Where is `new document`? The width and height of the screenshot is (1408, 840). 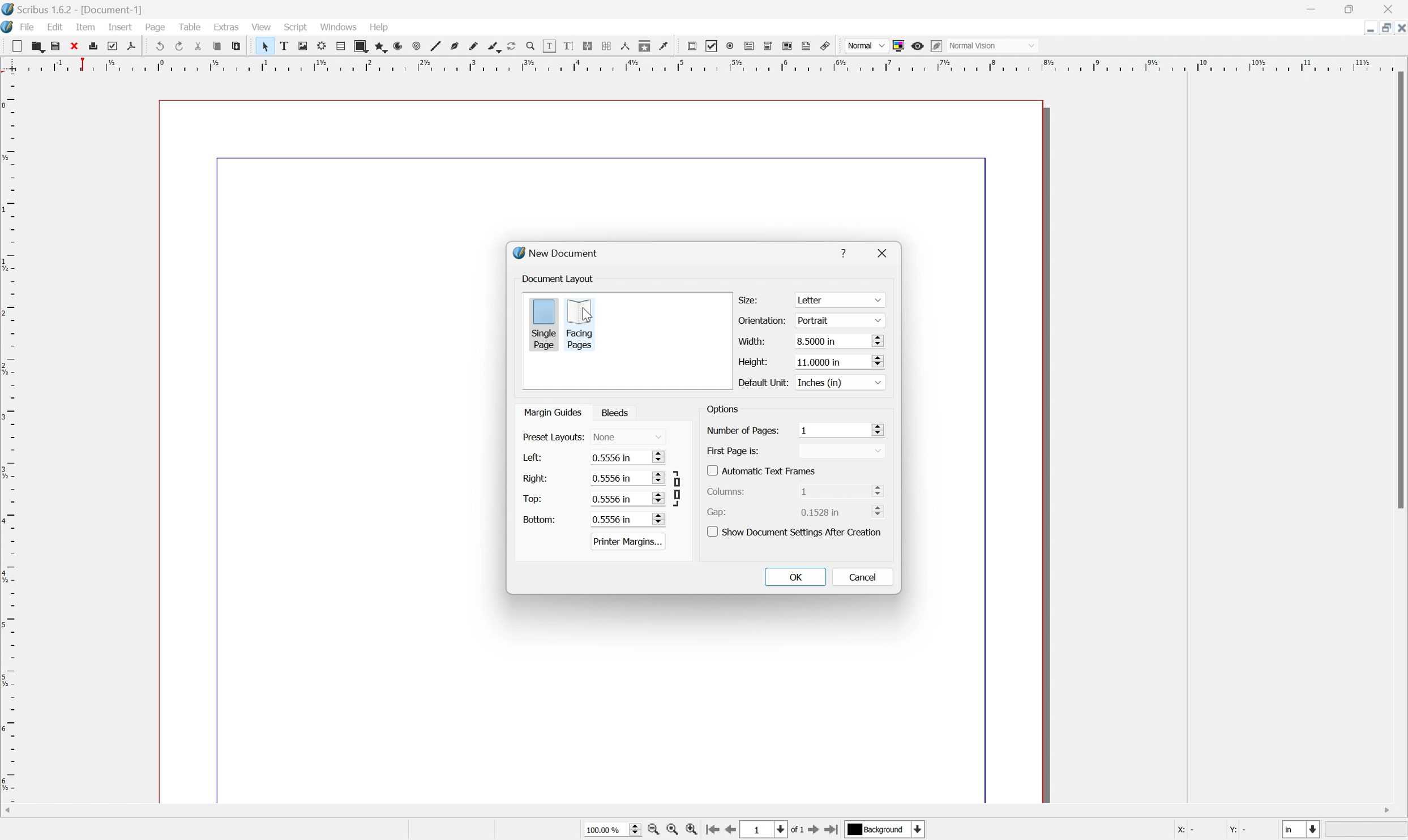
new document is located at coordinates (559, 254).